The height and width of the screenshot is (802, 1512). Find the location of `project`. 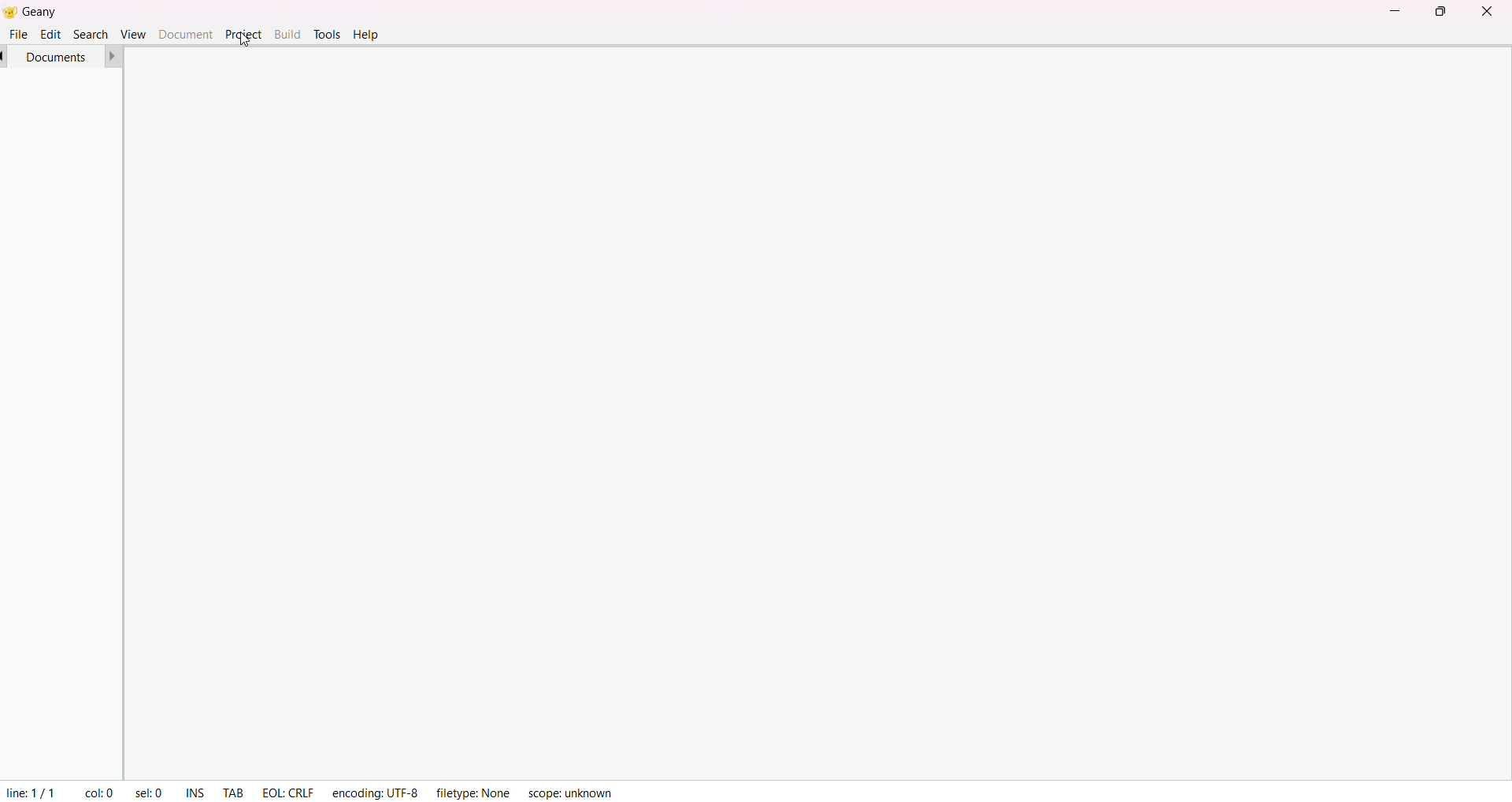

project is located at coordinates (243, 34).